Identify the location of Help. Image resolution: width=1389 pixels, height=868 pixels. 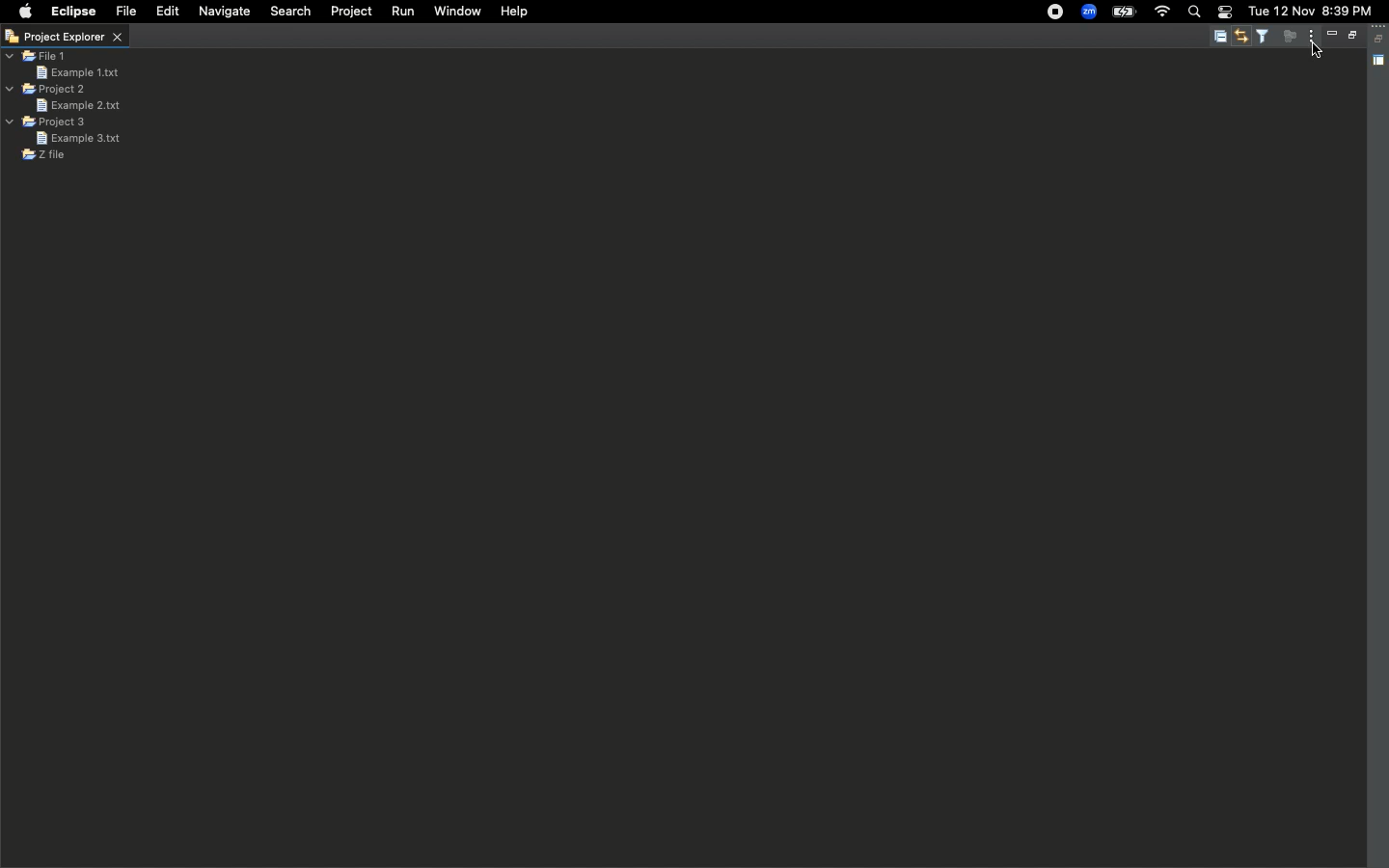
(516, 13).